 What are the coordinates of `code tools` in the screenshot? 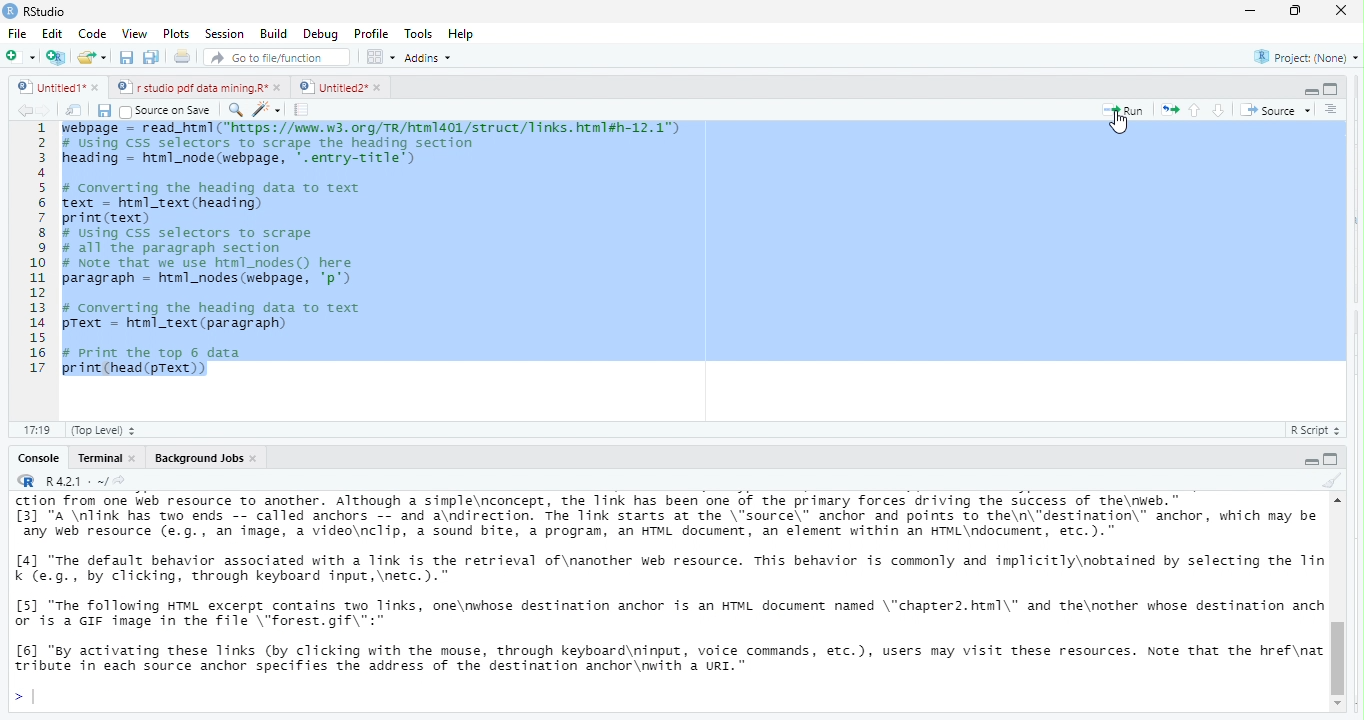 It's located at (267, 109).